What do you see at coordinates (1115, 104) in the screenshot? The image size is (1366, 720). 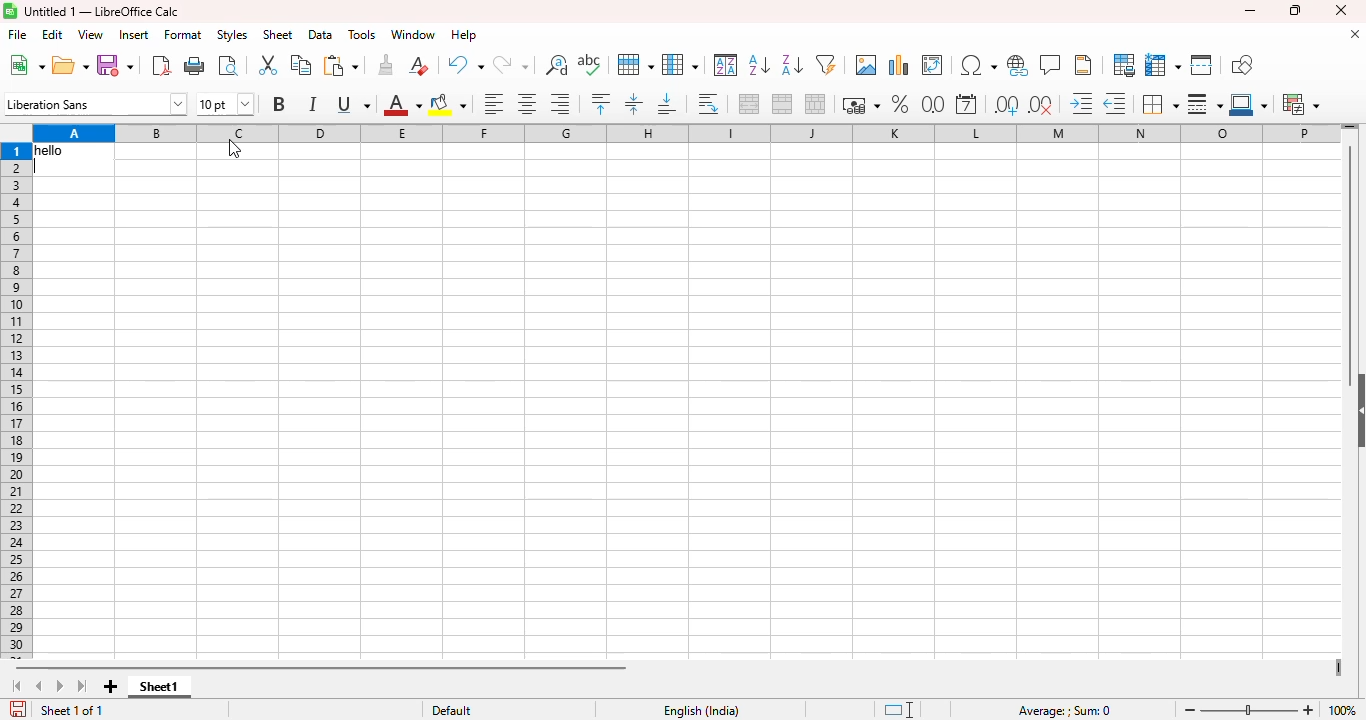 I see `decrease indent` at bounding box center [1115, 104].